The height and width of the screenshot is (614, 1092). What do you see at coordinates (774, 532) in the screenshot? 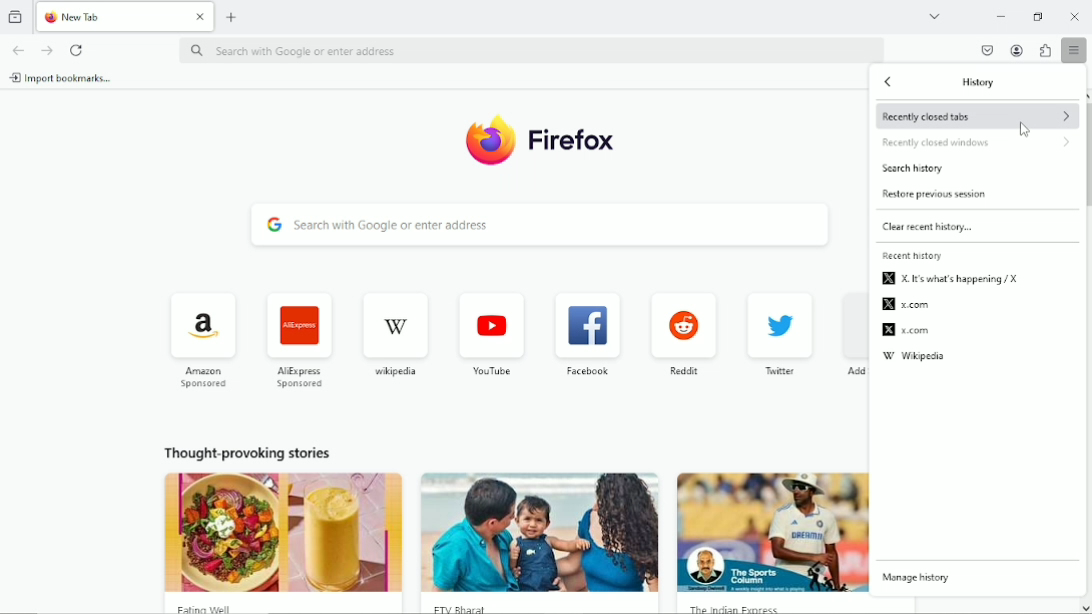
I see `image` at bounding box center [774, 532].